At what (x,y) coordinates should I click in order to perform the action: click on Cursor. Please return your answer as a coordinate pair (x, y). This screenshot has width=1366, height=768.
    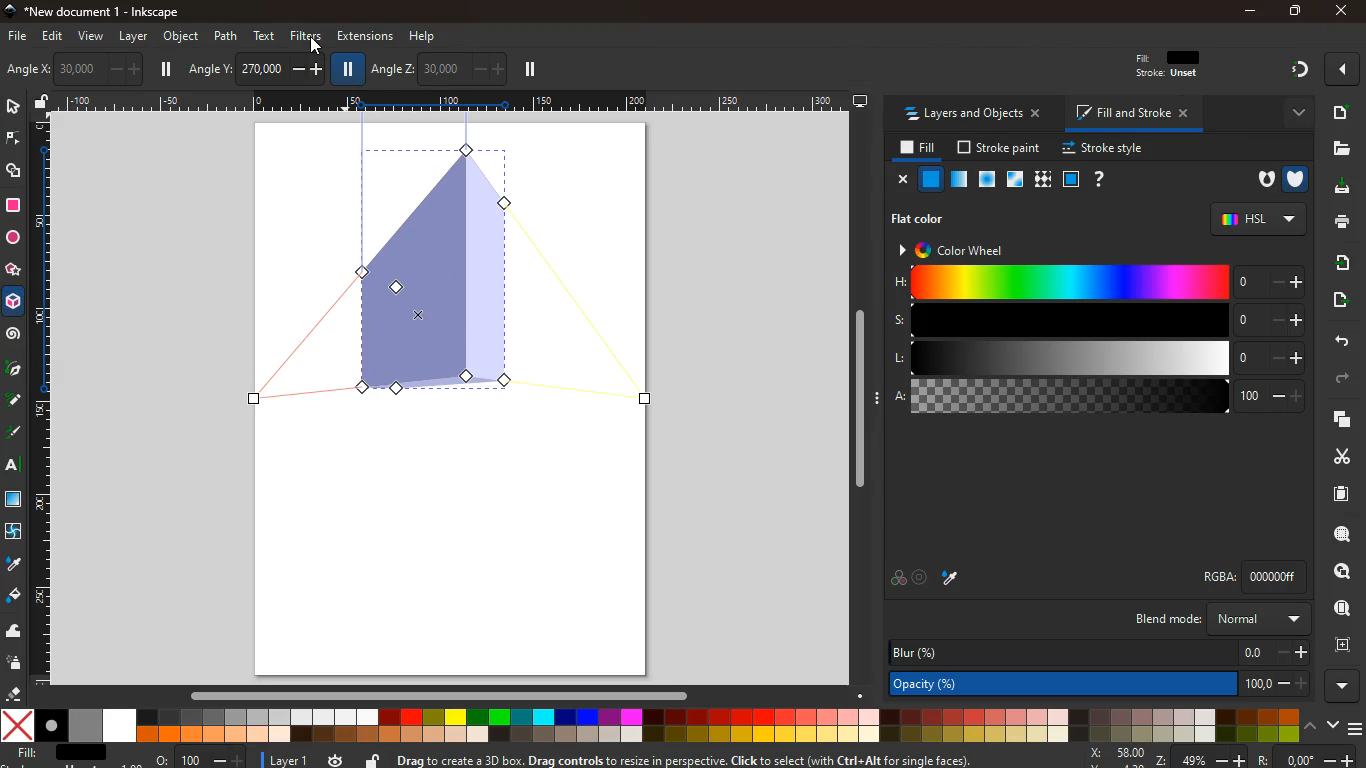
    Looking at the image, I should click on (317, 44).